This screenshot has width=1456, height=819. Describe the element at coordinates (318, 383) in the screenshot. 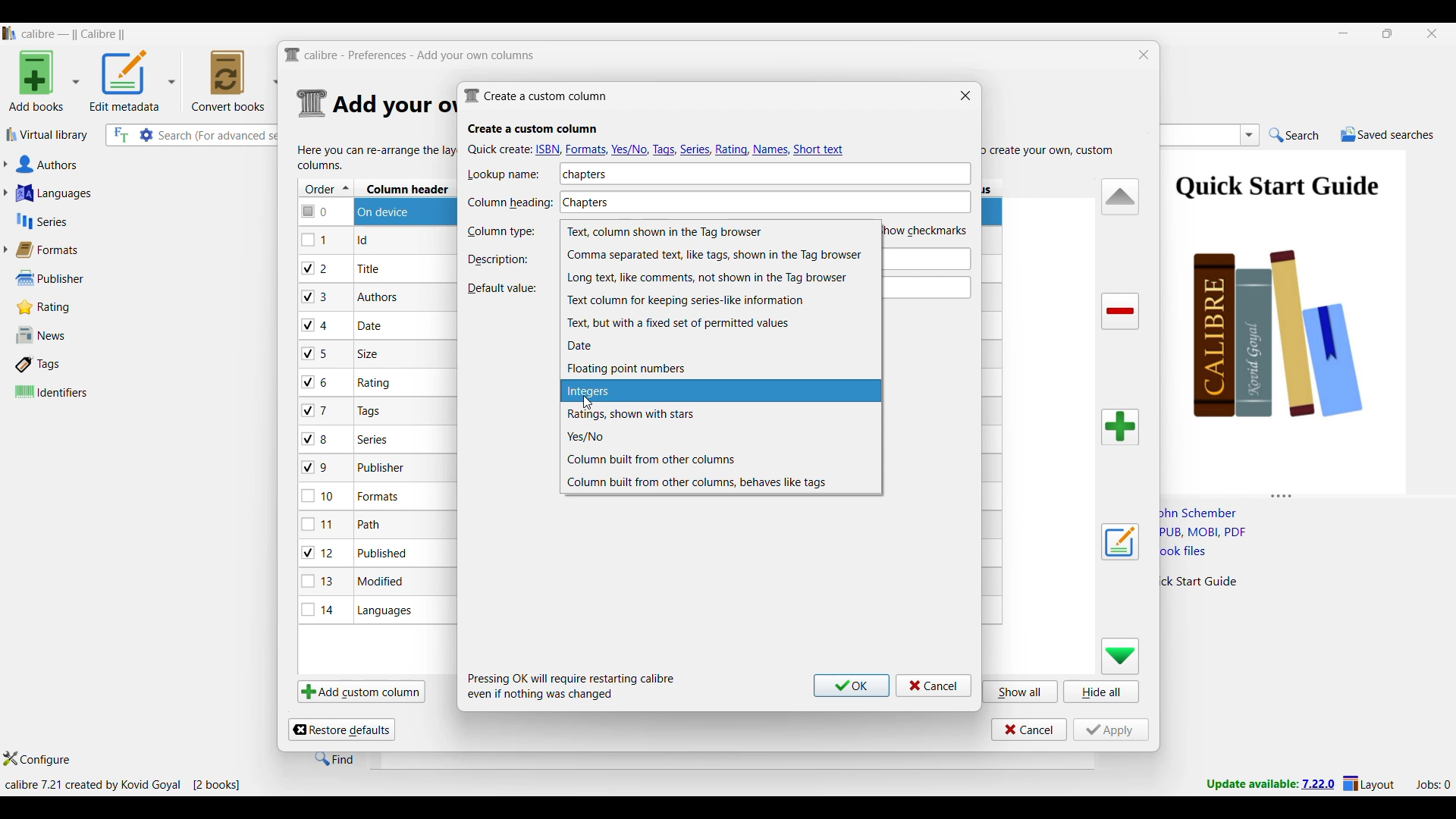

I see `checkbox - 6` at that location.